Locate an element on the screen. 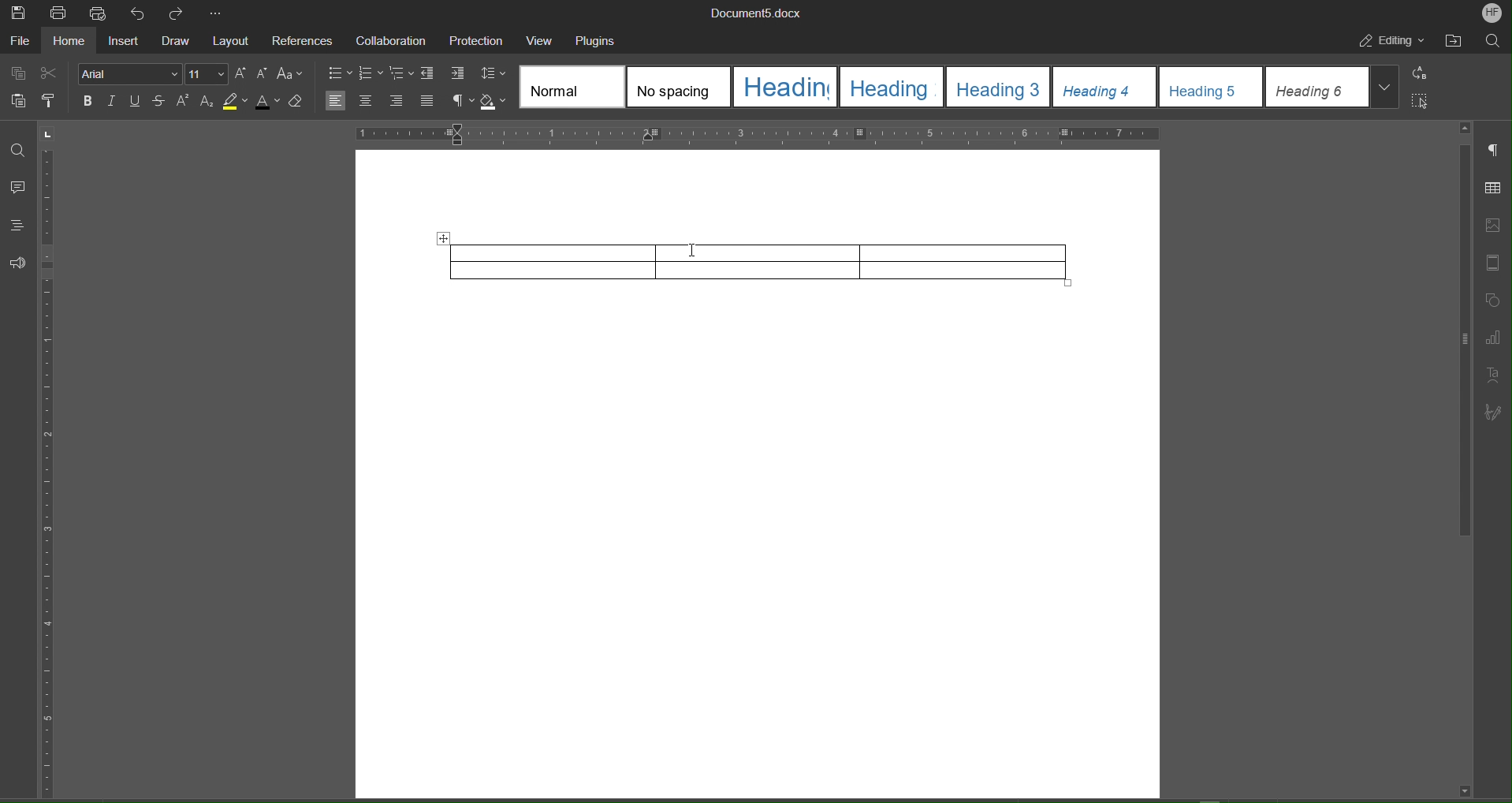 Image resolution: width=1512 pixels, height=803 pixels. Table Settings is located at coordinates (1495, 187).